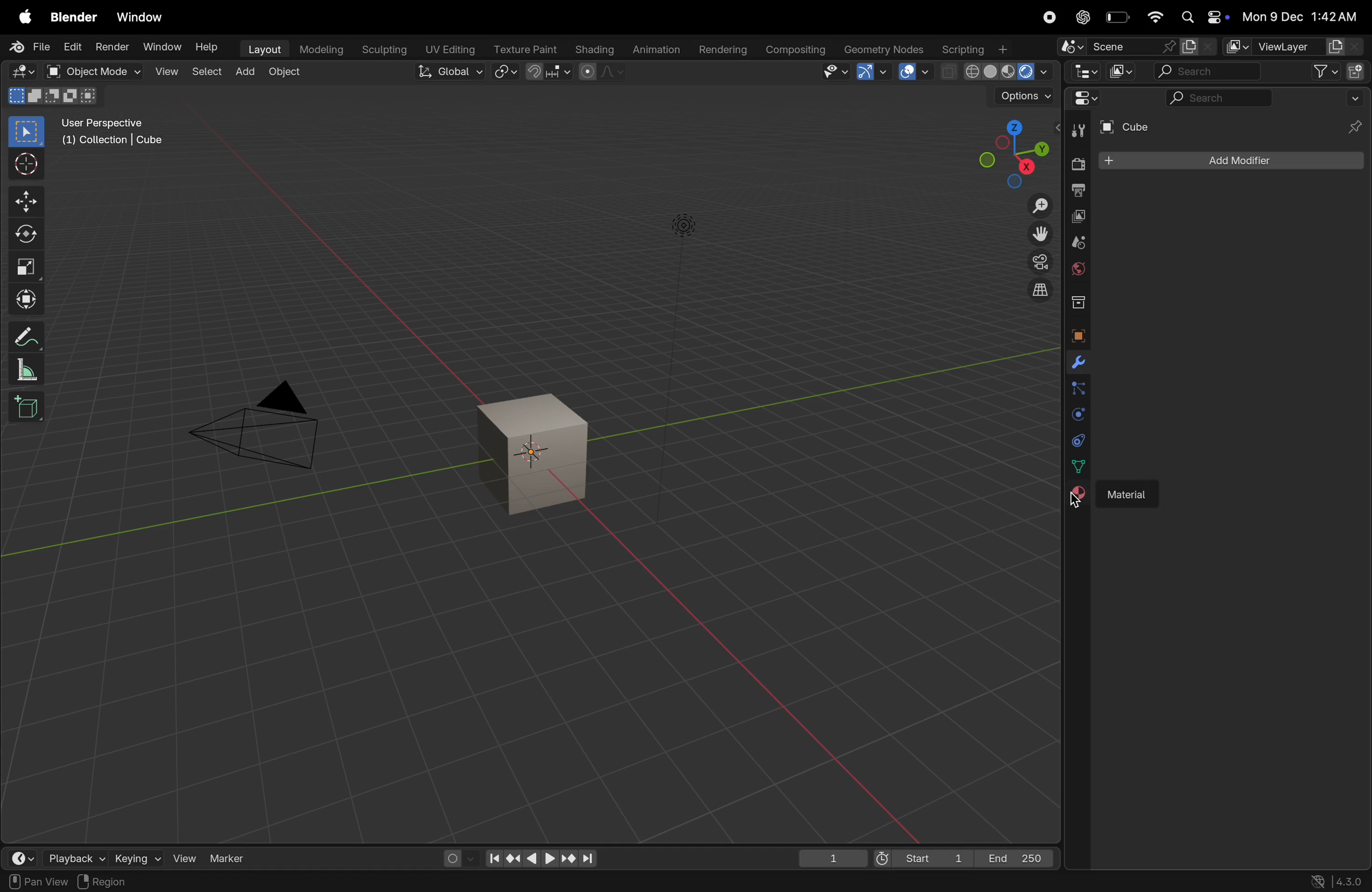 Image resolution: width=1372 pixels, height=892 pixels. I want to click on transform, so click(25, 300).